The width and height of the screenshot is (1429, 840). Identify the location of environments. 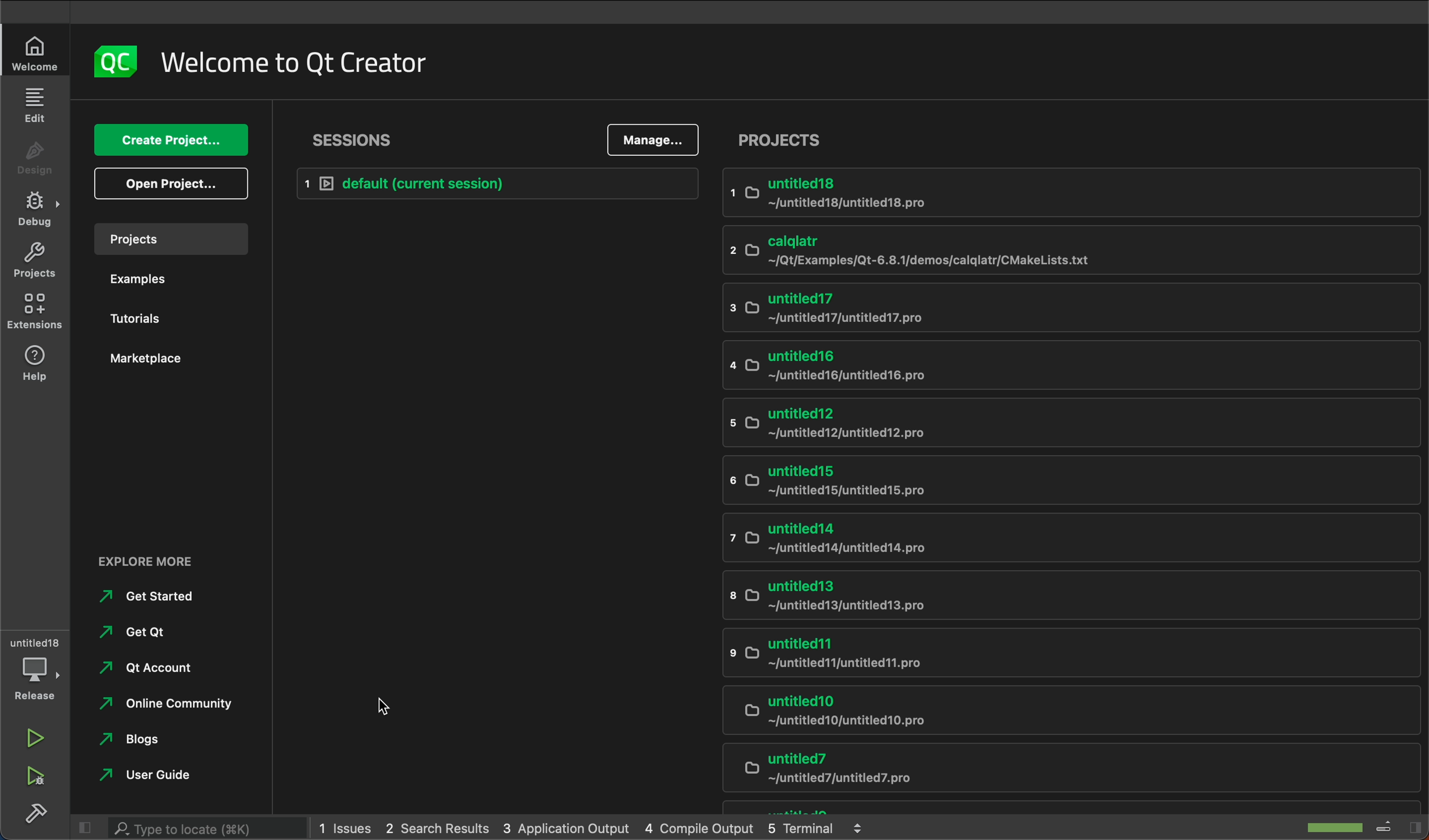
(35, 313).